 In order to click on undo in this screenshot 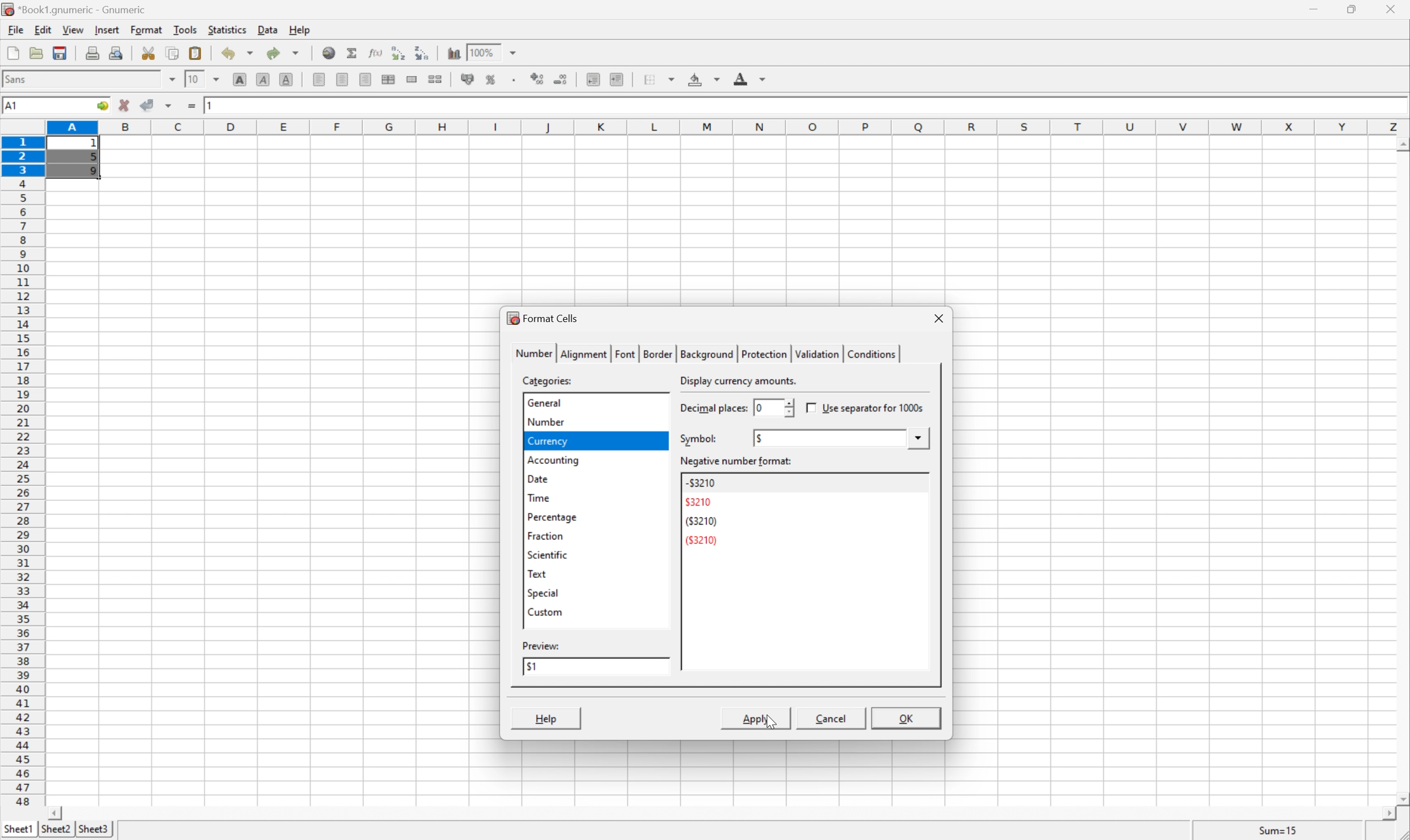, I will do `click(239, 55)`.